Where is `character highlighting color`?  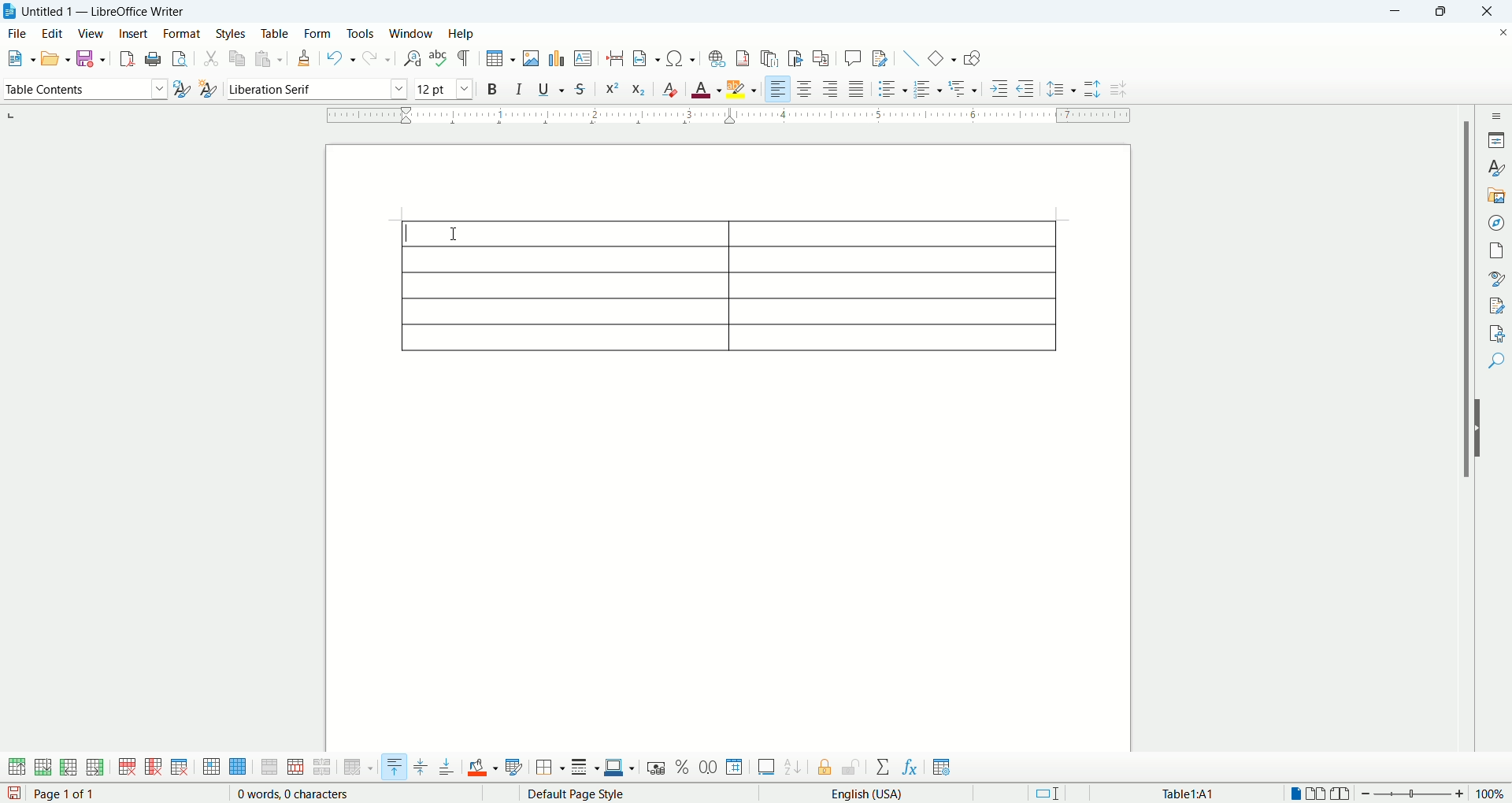 character highlighting color is located at coordinates (743, 89).